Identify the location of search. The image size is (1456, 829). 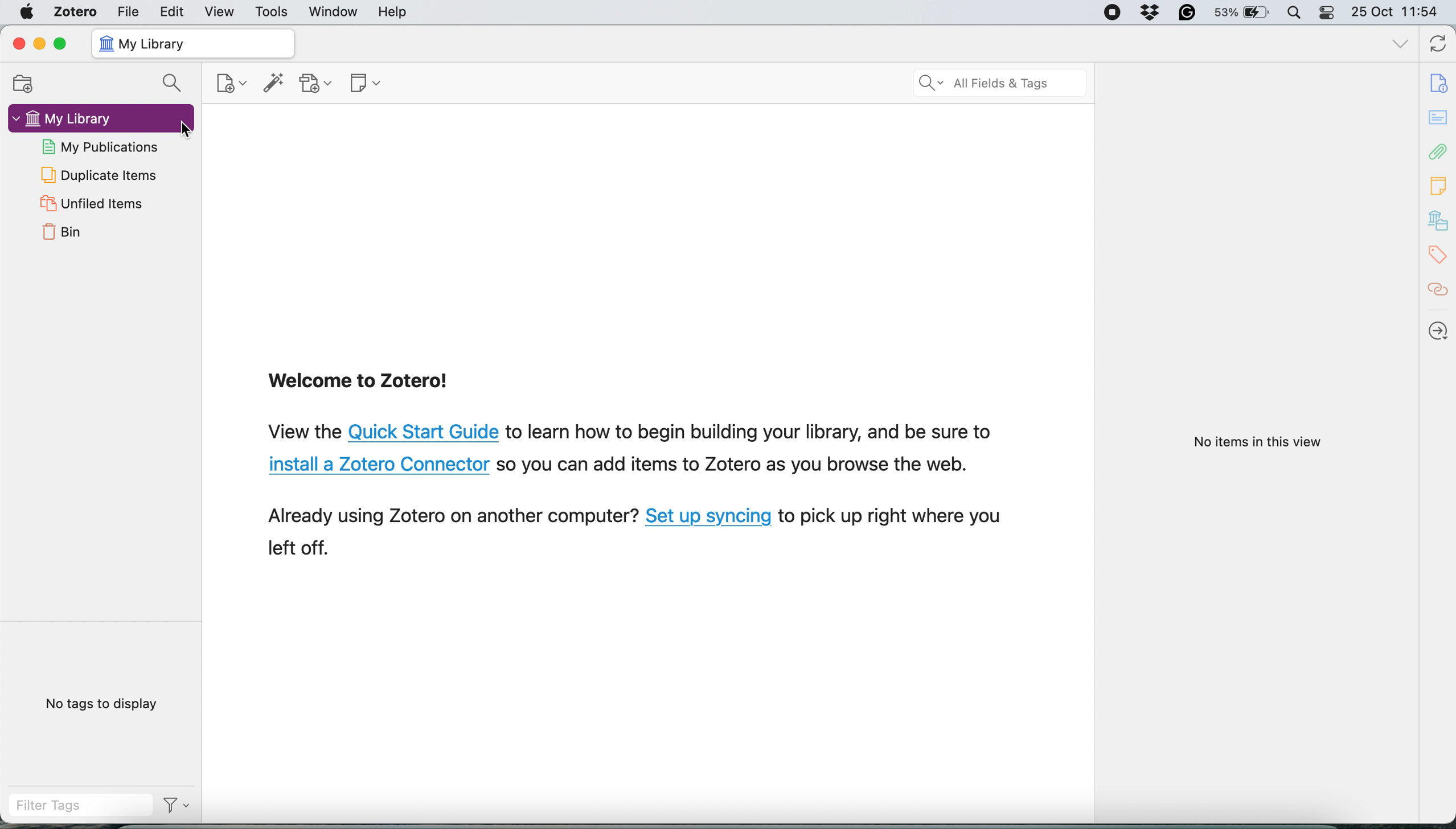
(1000, 83).